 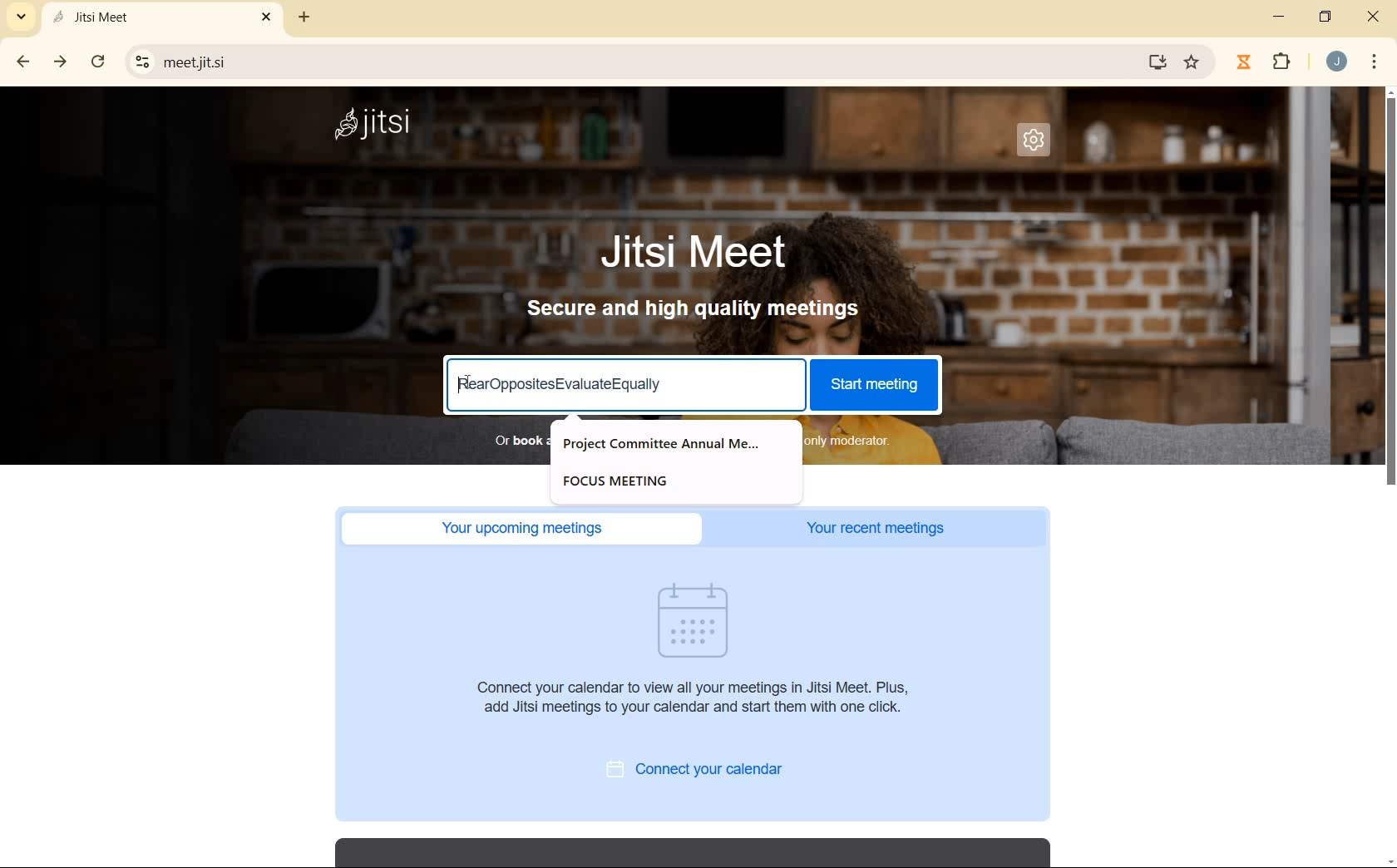 I want to click on Jitsi Meet, so click(x=160, y=18).